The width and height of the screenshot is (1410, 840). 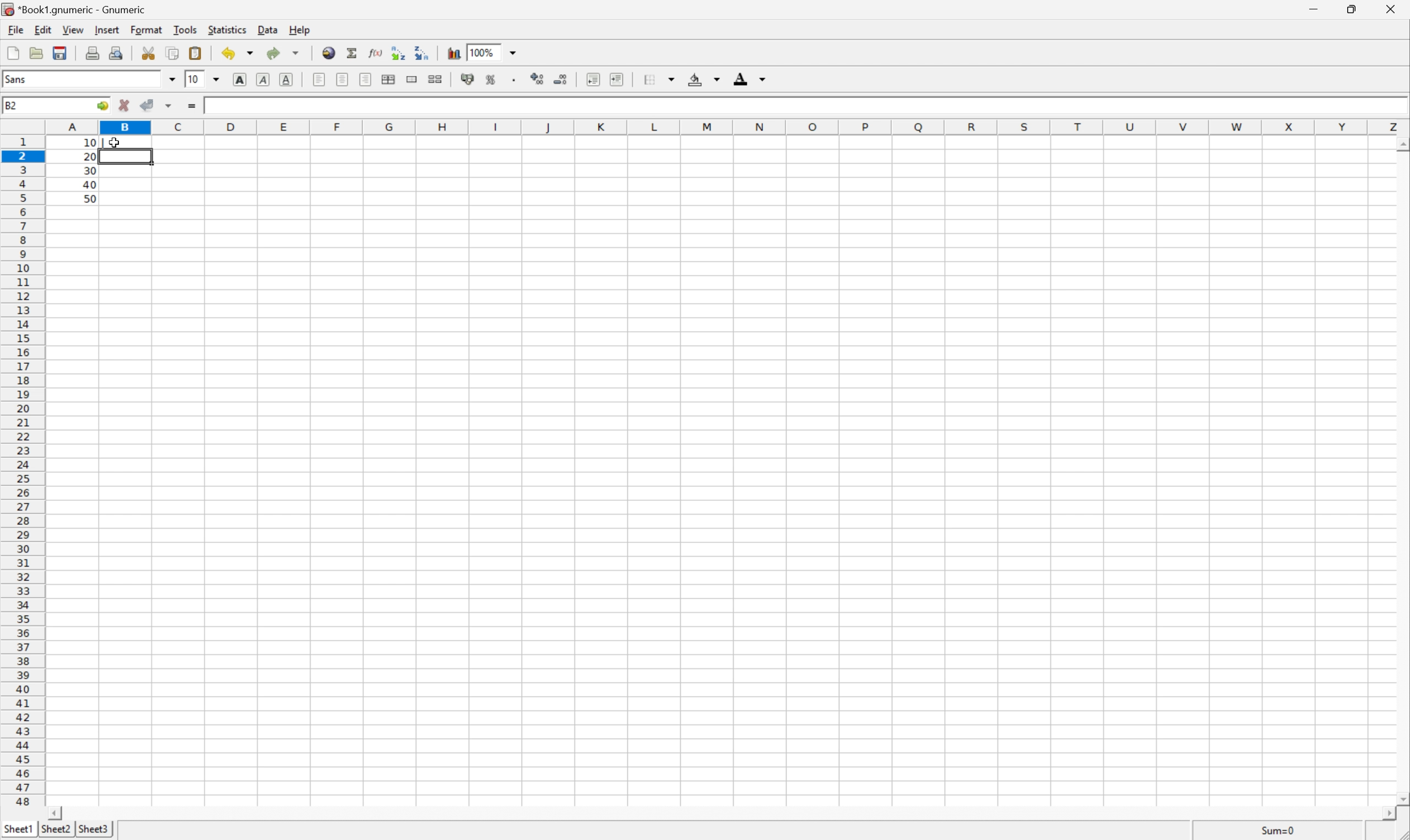 What do you see at coordinates (148, 53) in the screenshot?
I see `Cut selection` at bounding box center [148, 53].